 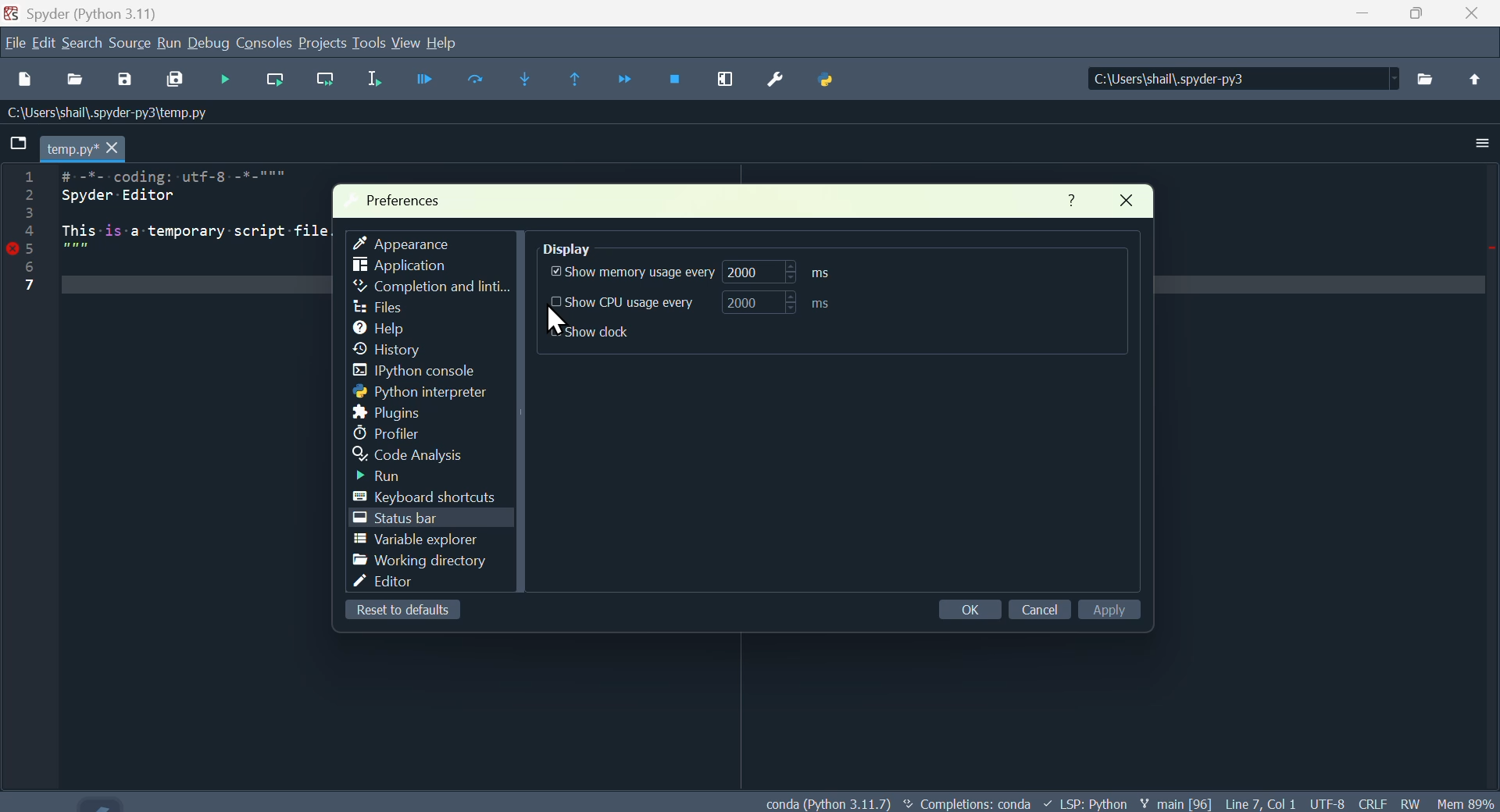 What do you see at coordinates (409, 241) in the screenshot?
I see `Appearance` at bounding box center [409, 241].